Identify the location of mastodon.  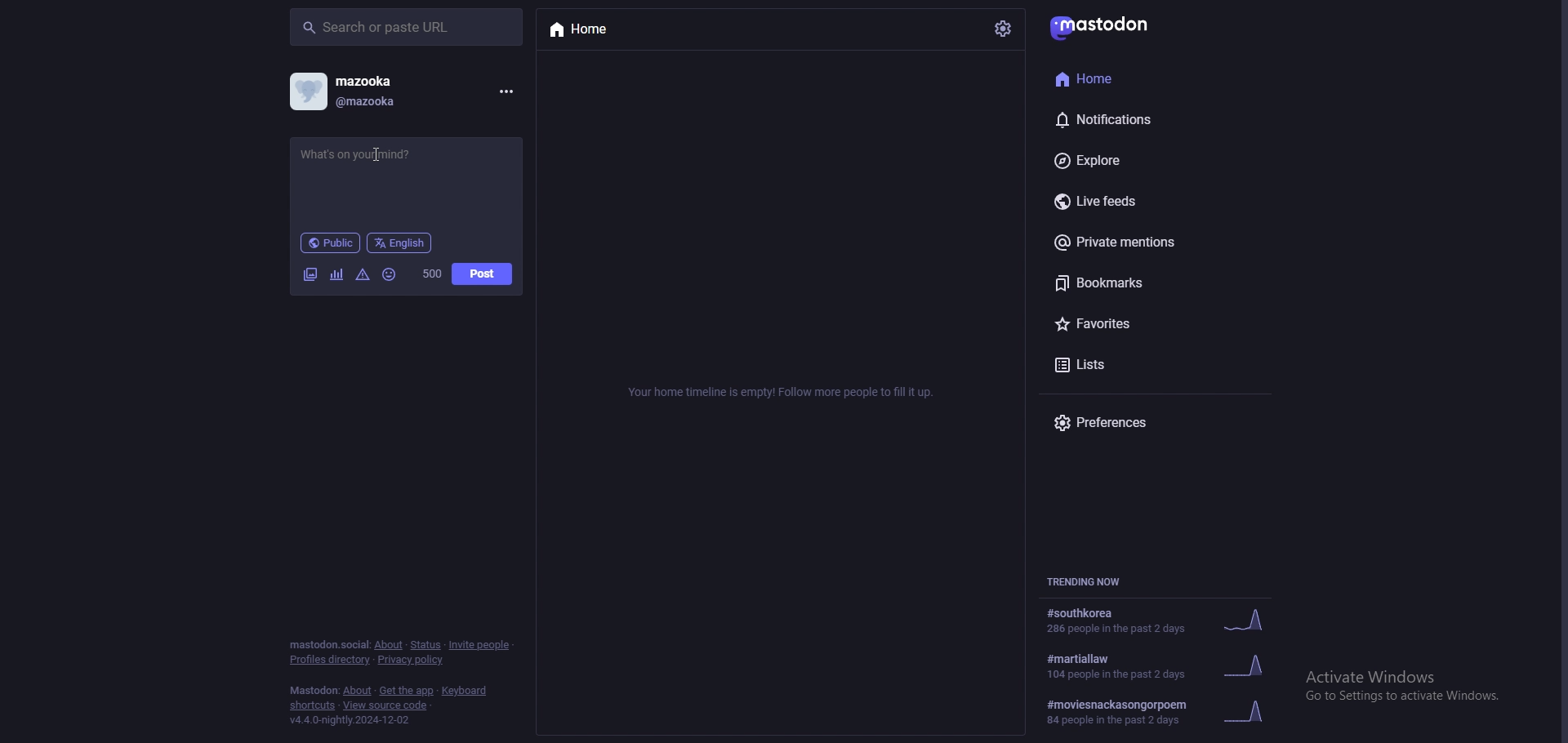
(1104, 26).